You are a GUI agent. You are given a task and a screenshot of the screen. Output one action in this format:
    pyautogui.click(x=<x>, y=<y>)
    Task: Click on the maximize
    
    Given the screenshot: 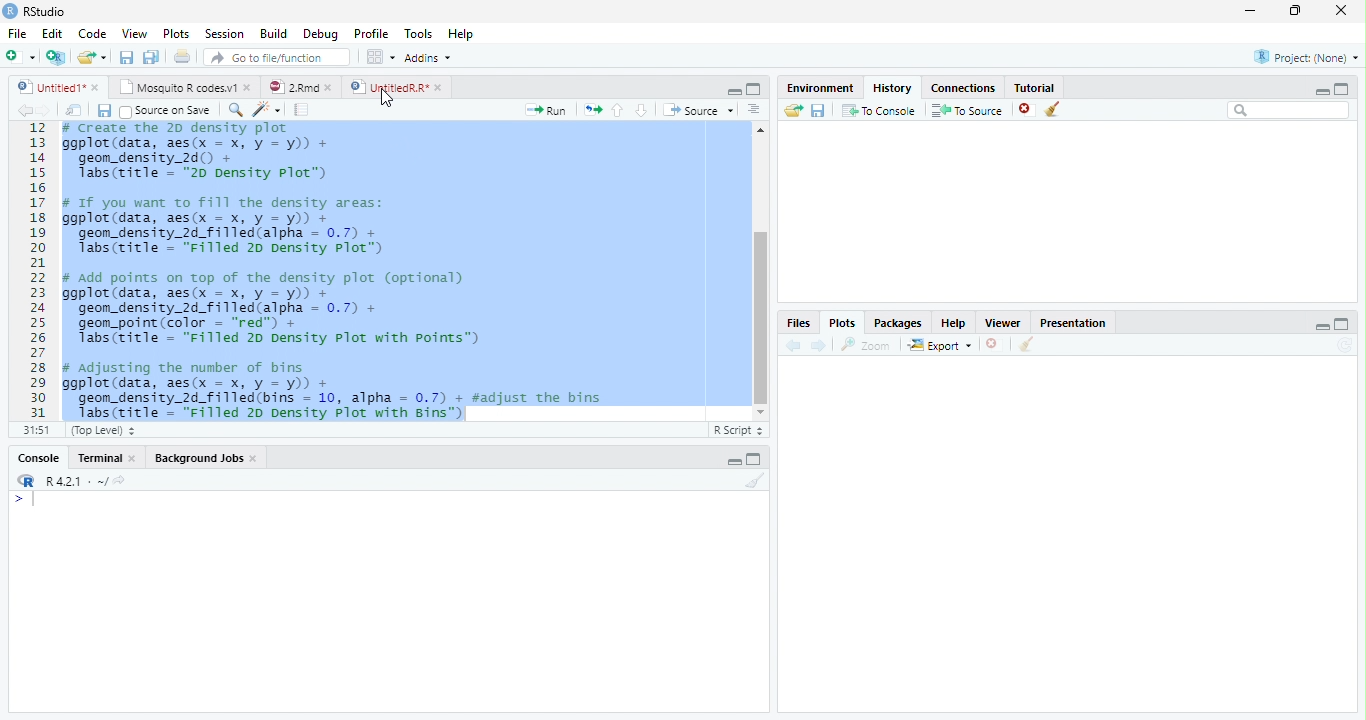 What is the action you would take?
    pyautogui.click(x=1297, y=10)
    